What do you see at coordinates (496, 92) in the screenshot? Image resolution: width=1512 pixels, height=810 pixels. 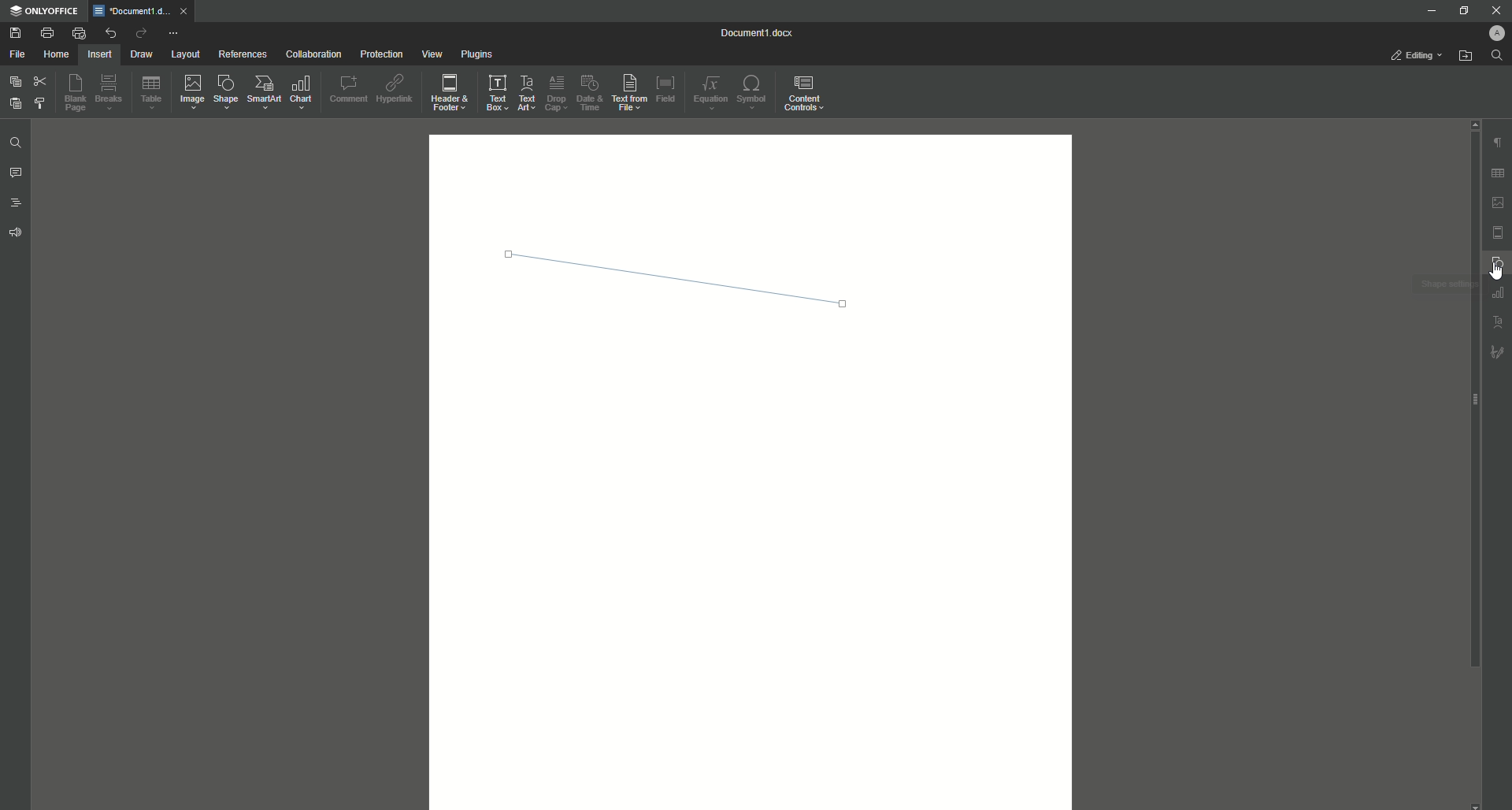 I see `Text Box` at bounding box center [496, 92].